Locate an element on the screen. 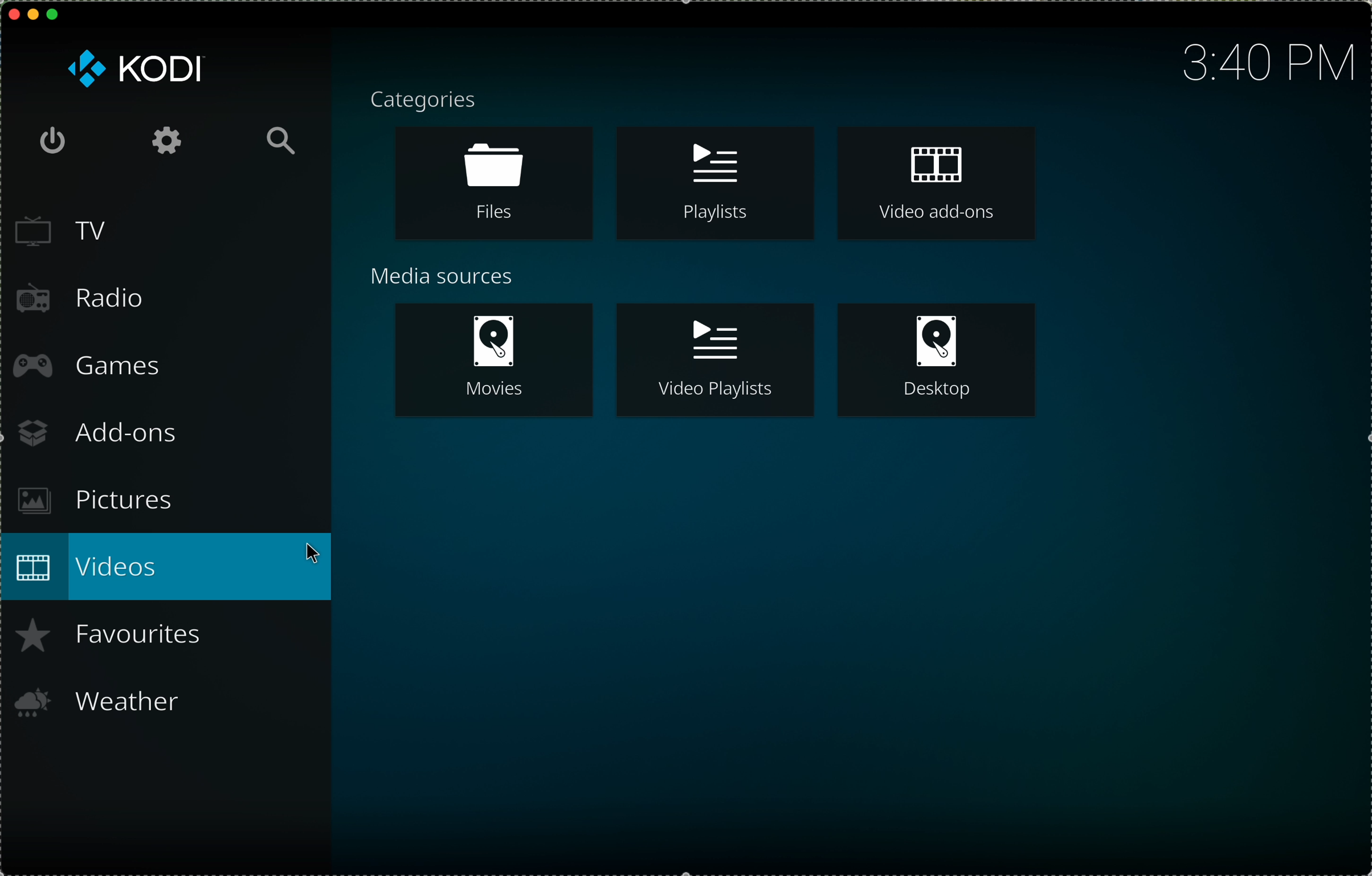  cursor is located at coordinates (320, 556).